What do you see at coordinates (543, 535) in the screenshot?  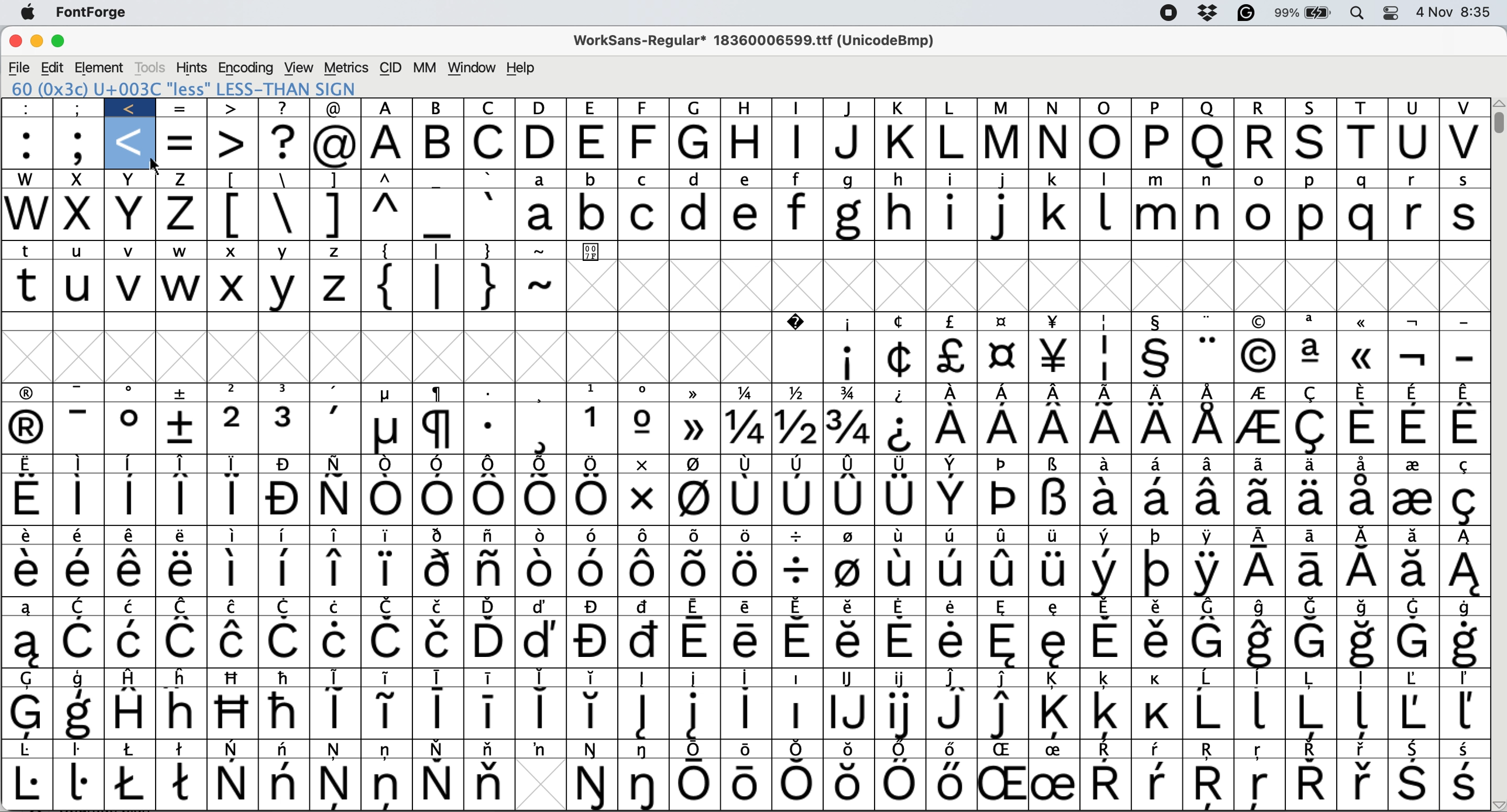 I see `Symbol` at bounding box center [543, 535].